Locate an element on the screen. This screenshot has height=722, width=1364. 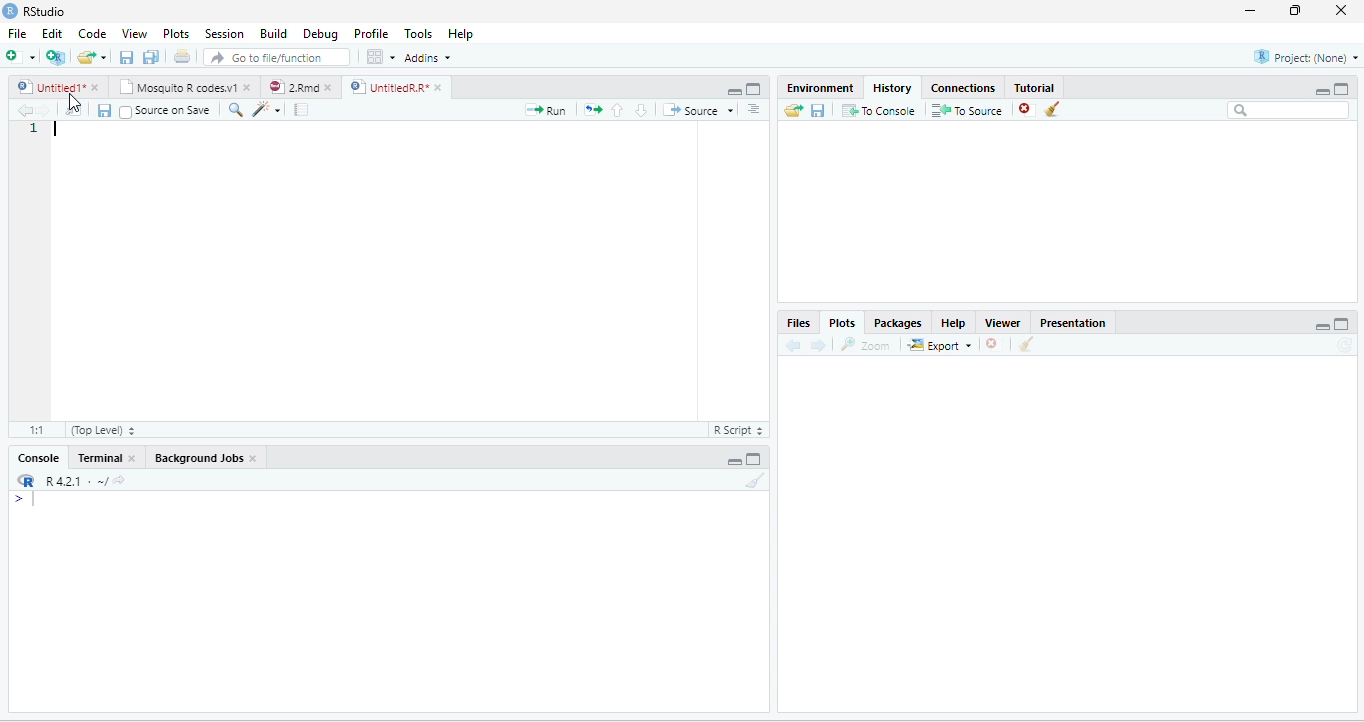
Minimize is located at coordinates (733, 461).